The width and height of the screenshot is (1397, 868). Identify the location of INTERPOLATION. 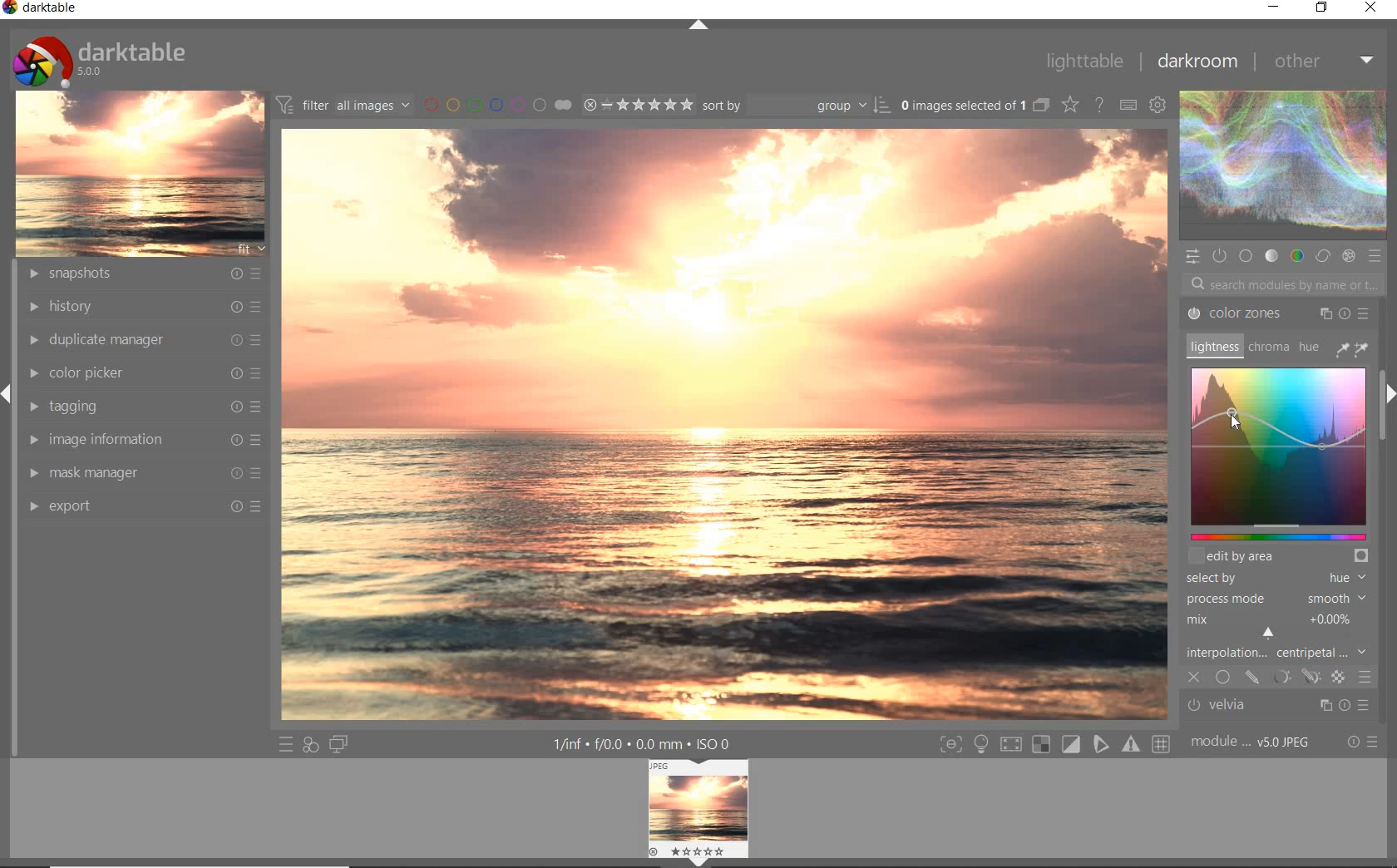
(1281, 635).